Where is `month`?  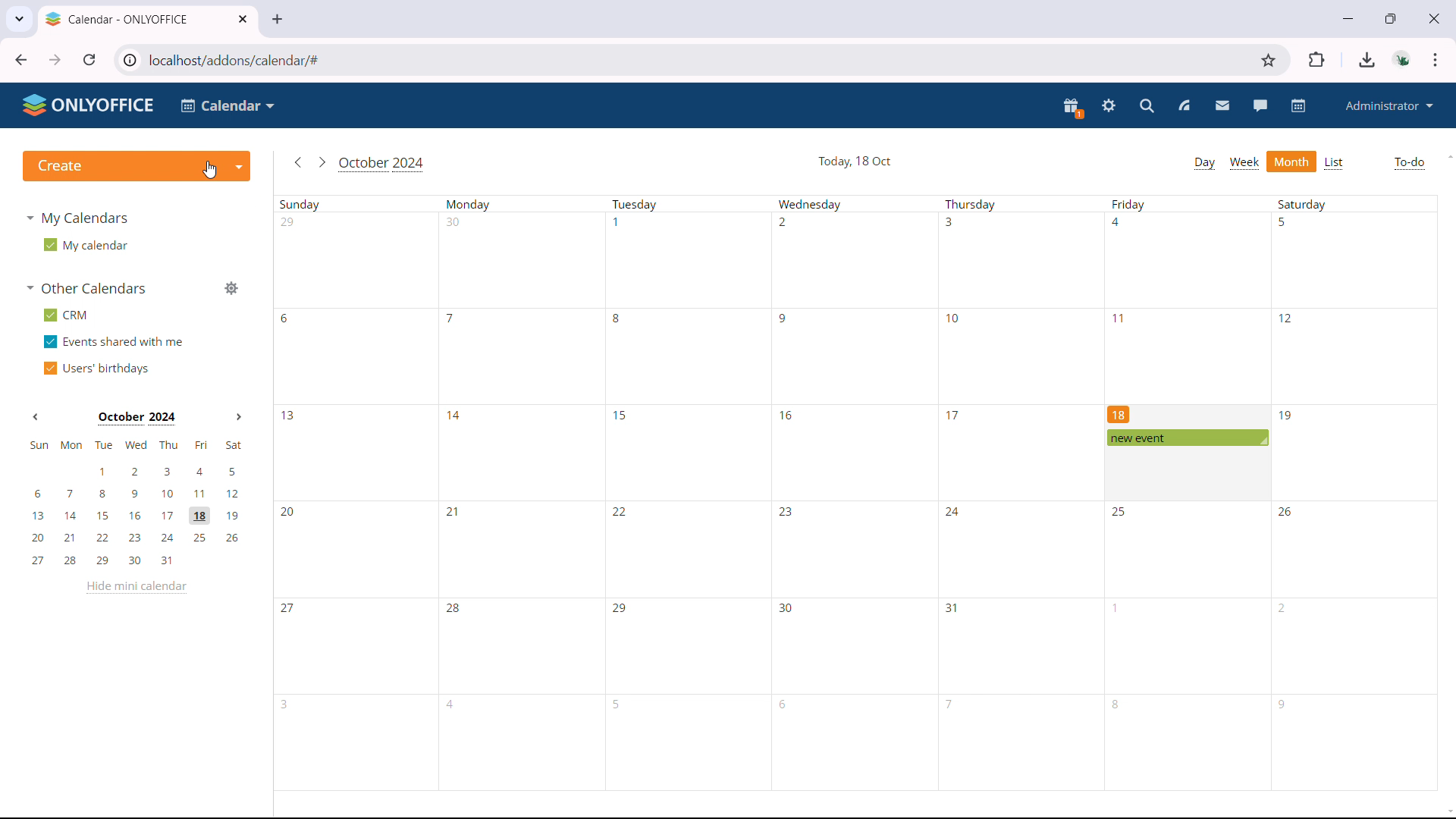 month is located at coordinates (1292, 162).